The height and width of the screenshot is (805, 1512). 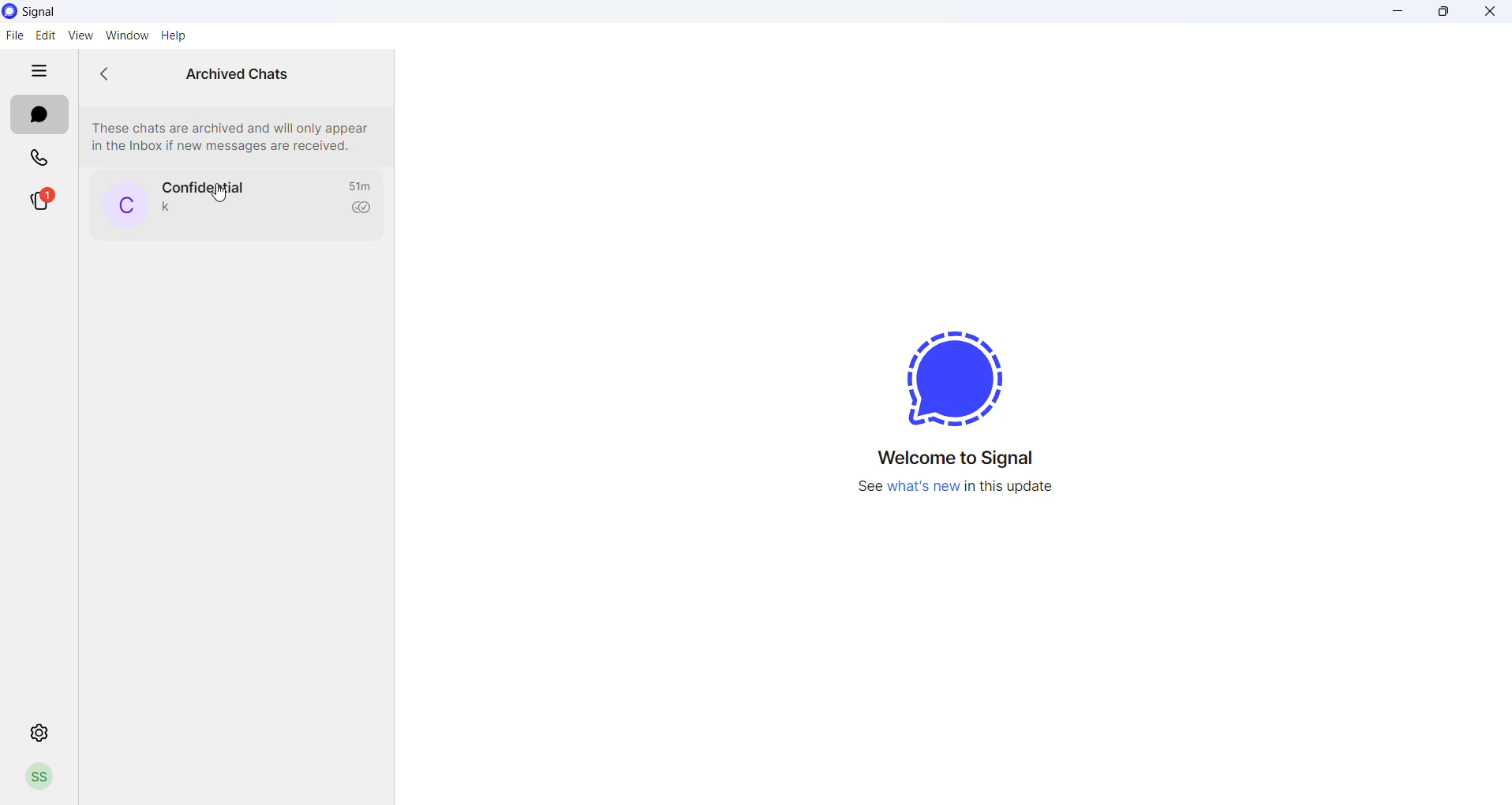 I want to click on minimize, so click(x=1395, y=13).